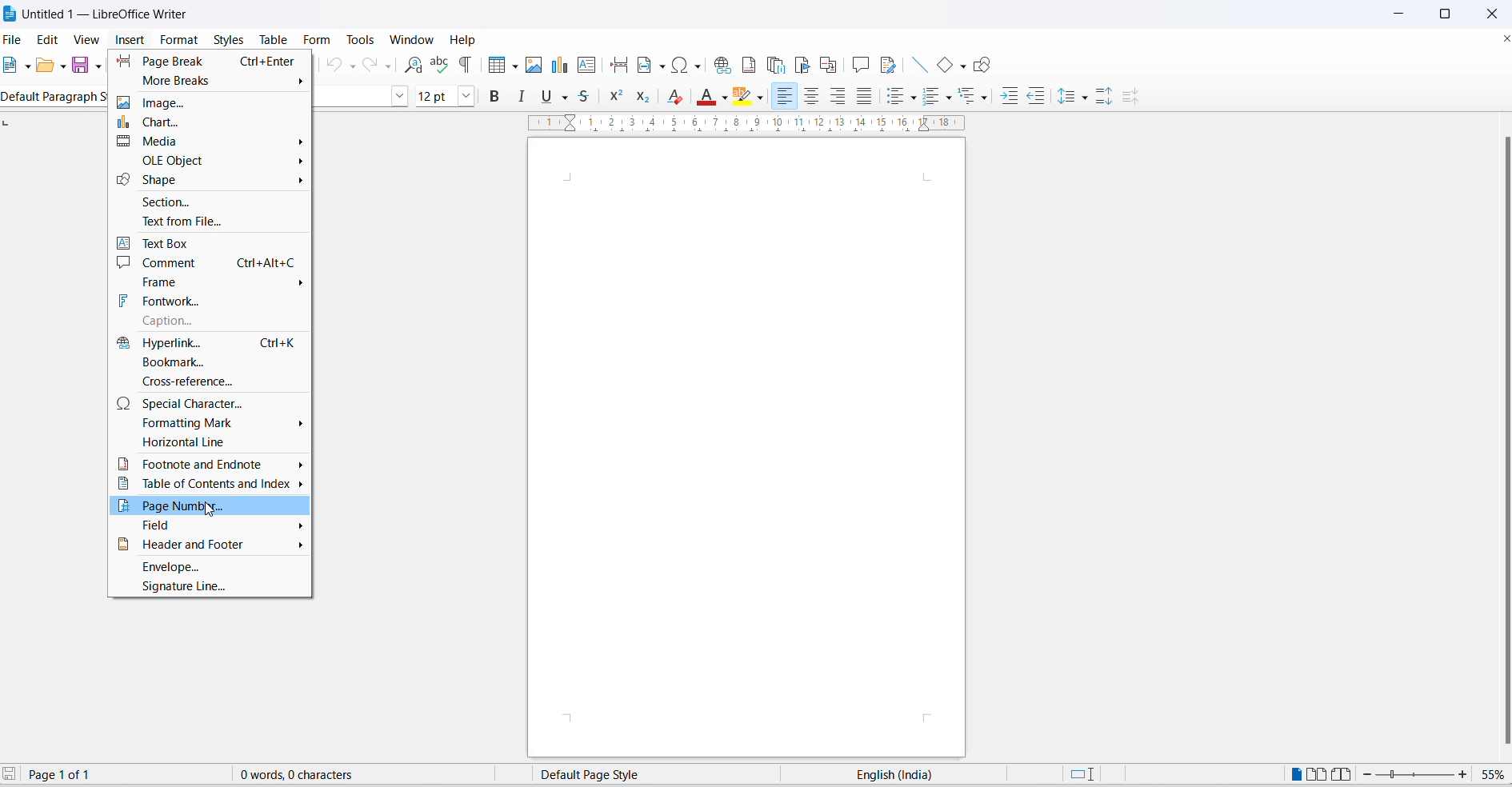 Image resolution: width=1512 pixels, height=787 pixels. What do you see at coordinates (760, 98) in the screenshot?
I see `character highlighting options` at bounding box center [760, 98].